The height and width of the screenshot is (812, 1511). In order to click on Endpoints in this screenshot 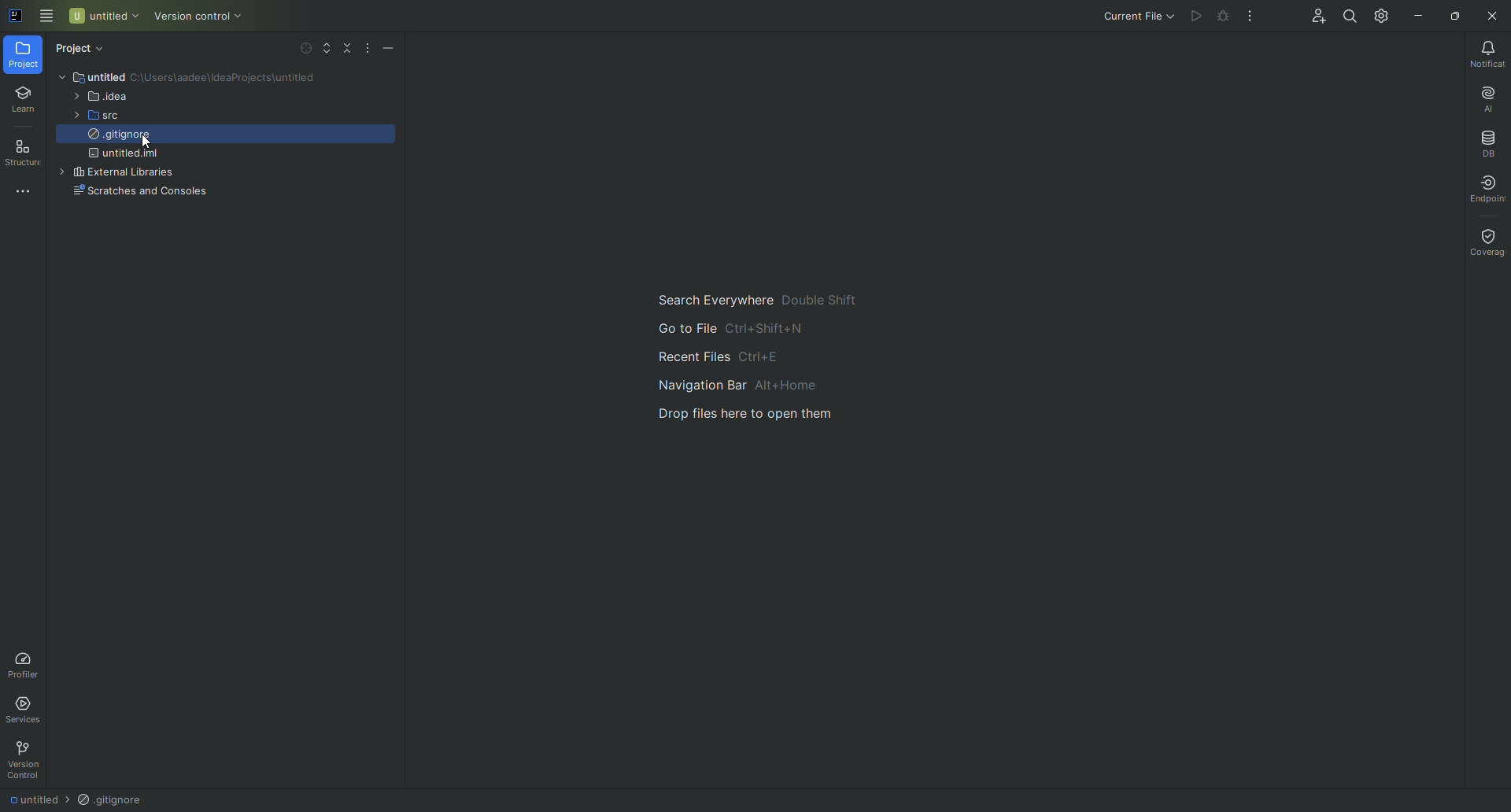, I will do `click(1491, 190)`.